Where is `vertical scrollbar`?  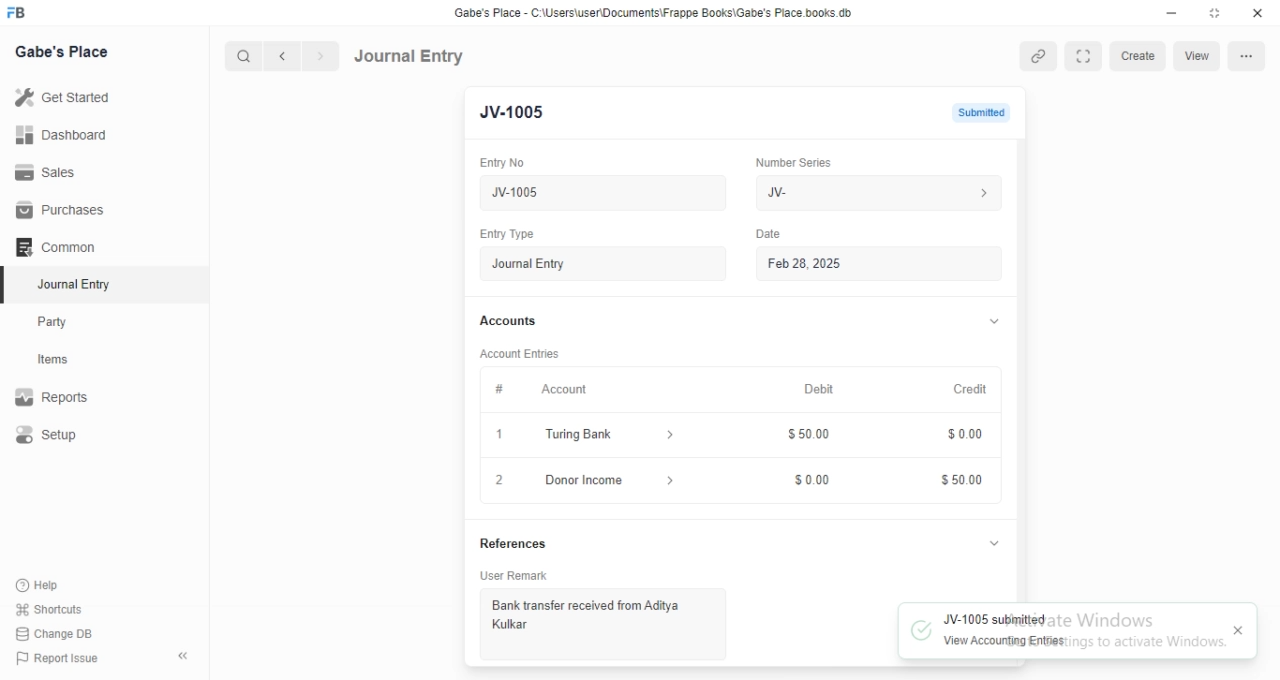
vertical scrollbar is located at coordinates (1022, 350).